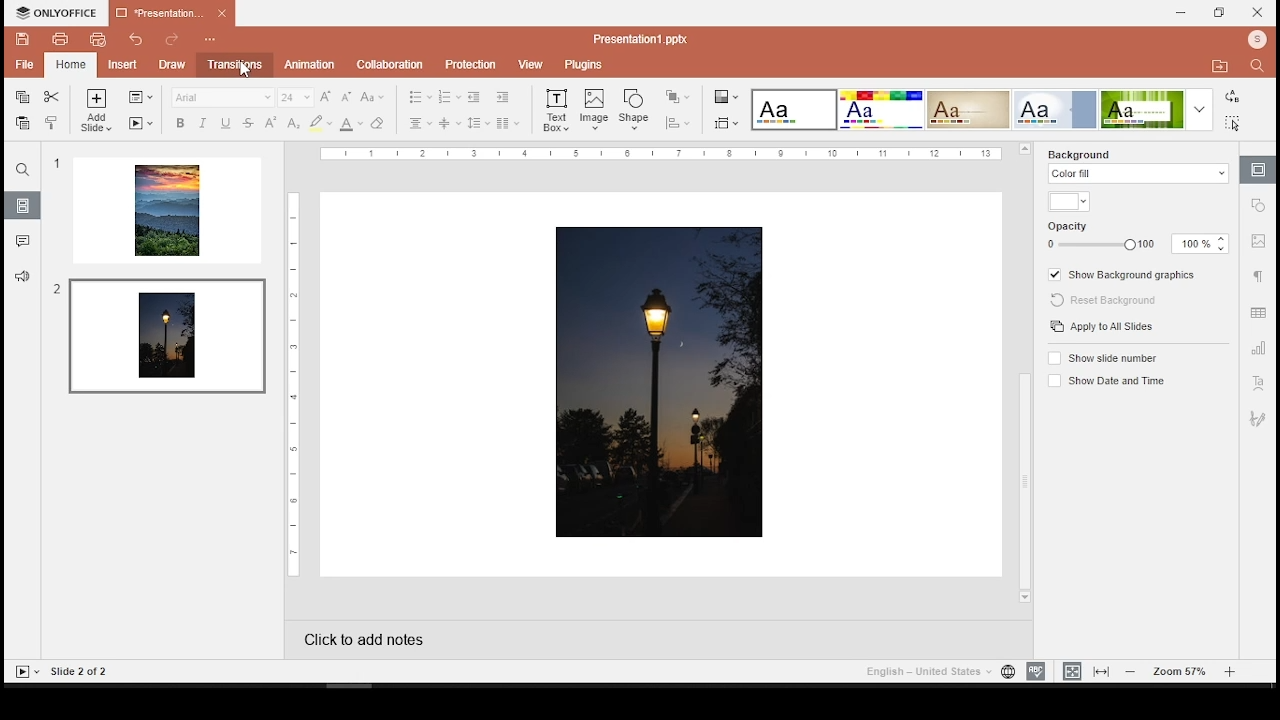 This screenshot has width=1280, height=720. I want to click on decrease font size, so click(345, 97).